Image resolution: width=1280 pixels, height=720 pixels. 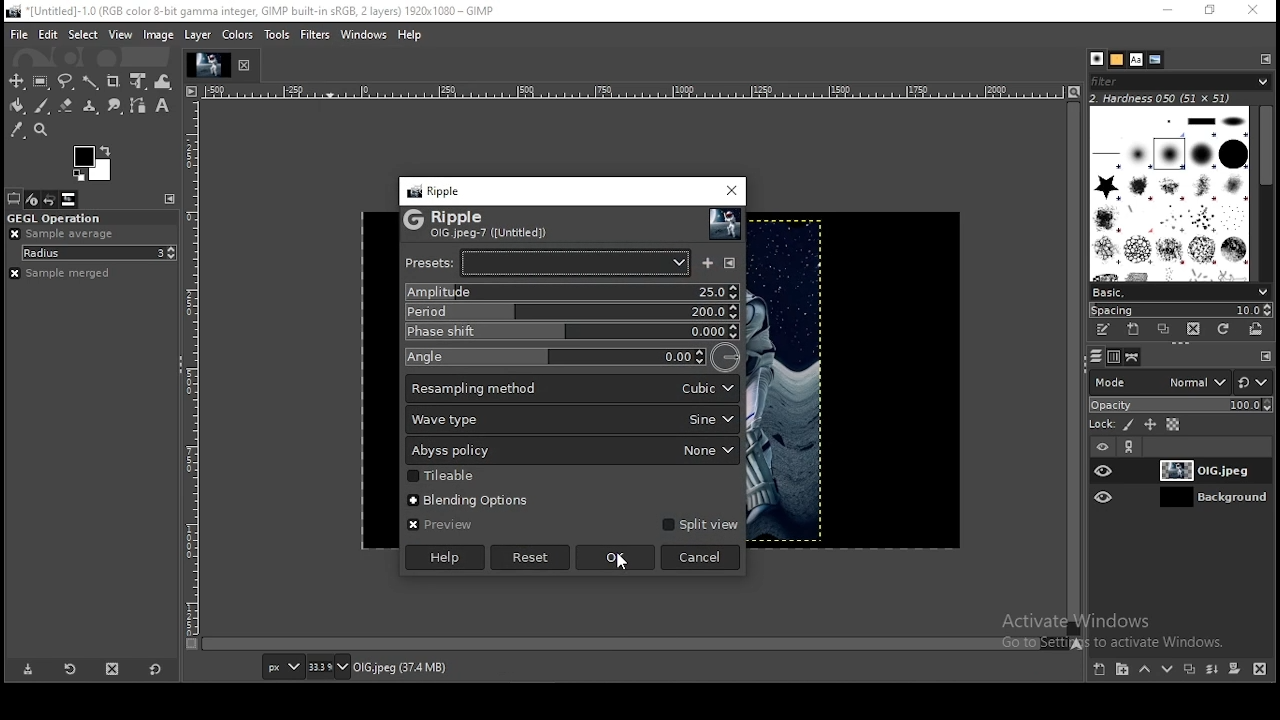 What do you see at coordinates (1263, 58) in the screenshot?
I see `configure this tab` at bounding box center [1263, 58].